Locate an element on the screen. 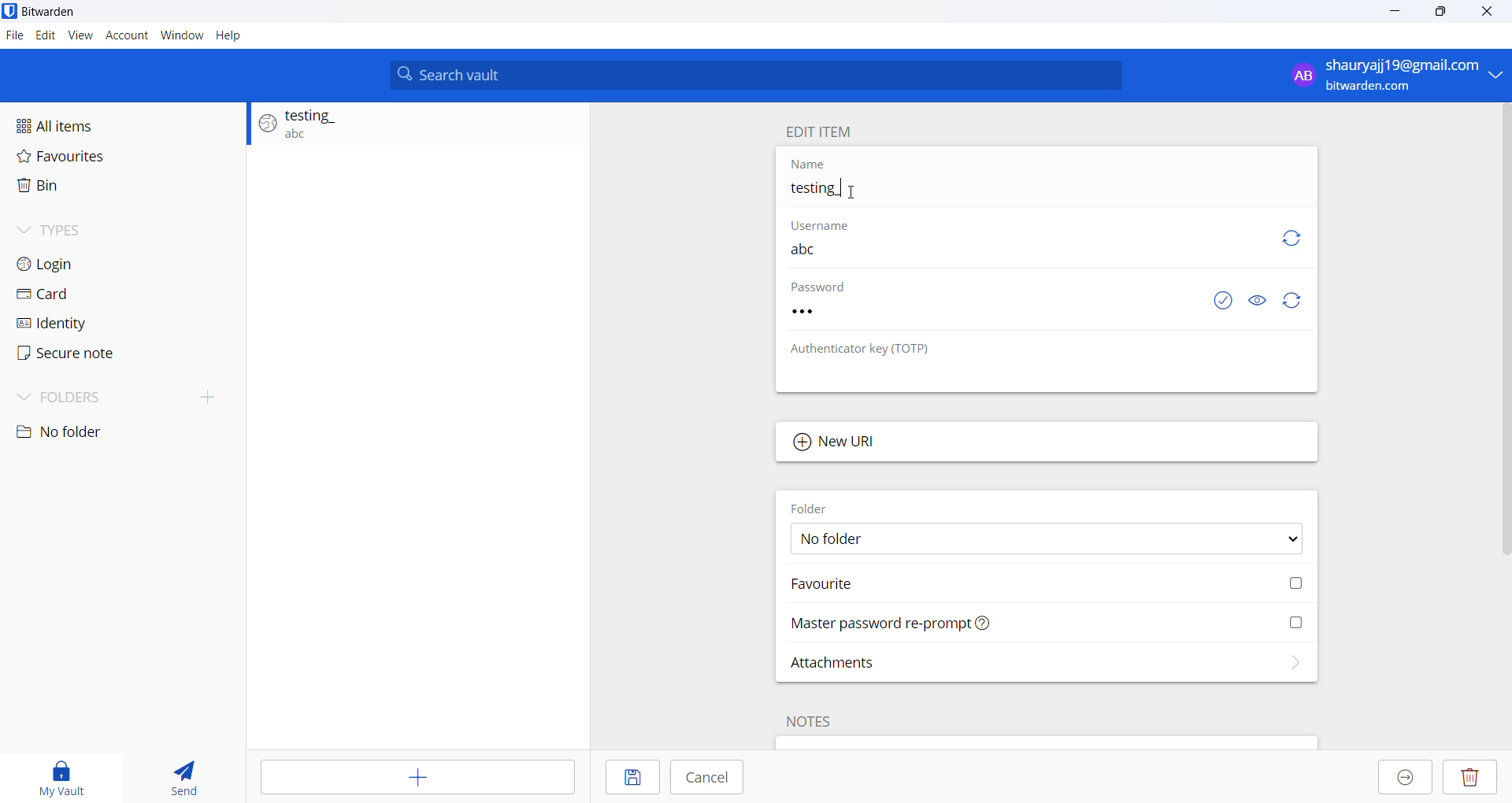 Image resolution: width=1512 pixels, height=803 pixels. Login is located at coordinates (112, 265).